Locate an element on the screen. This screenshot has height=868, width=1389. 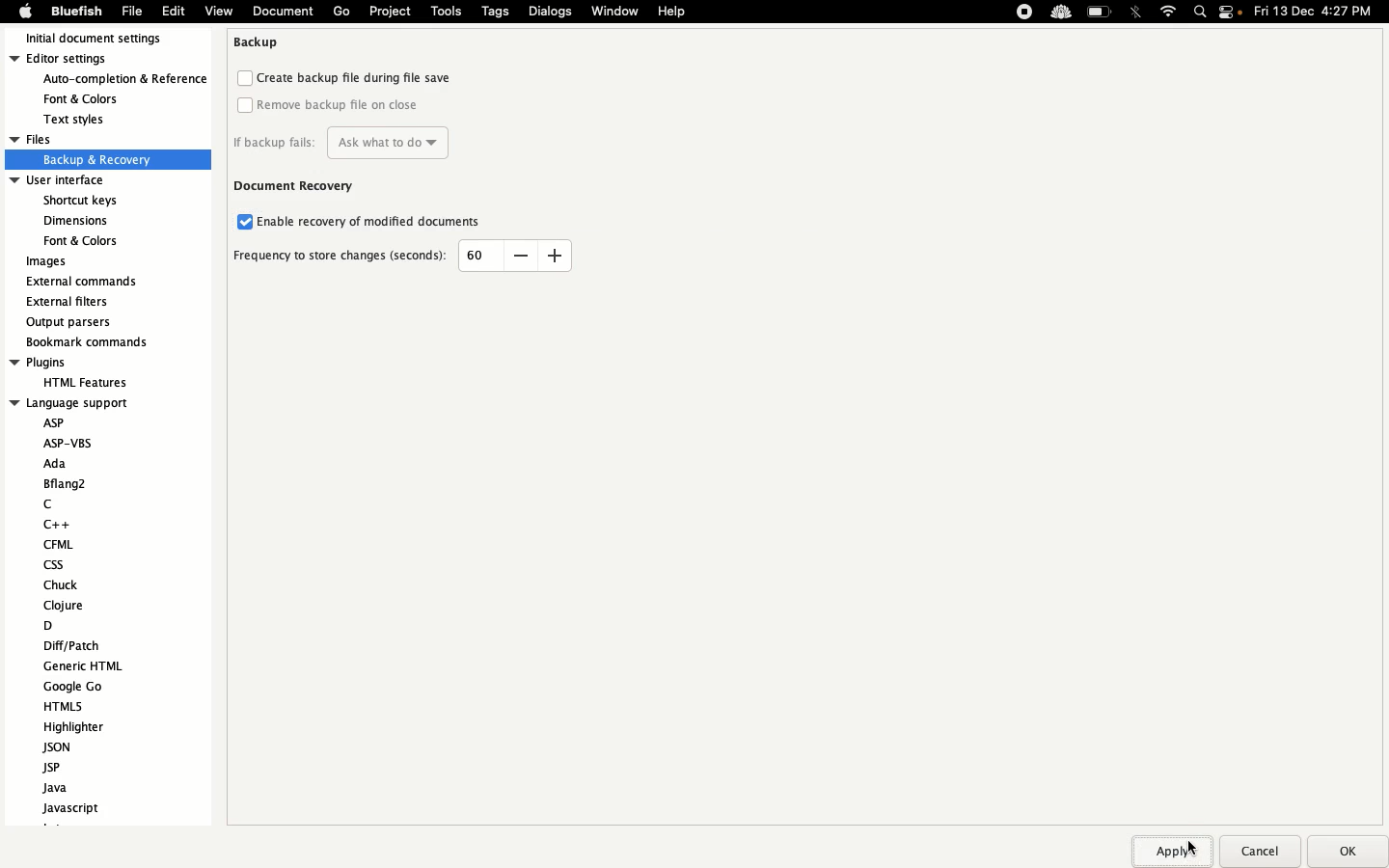
Bluefish is located at coordinates (74, 13).